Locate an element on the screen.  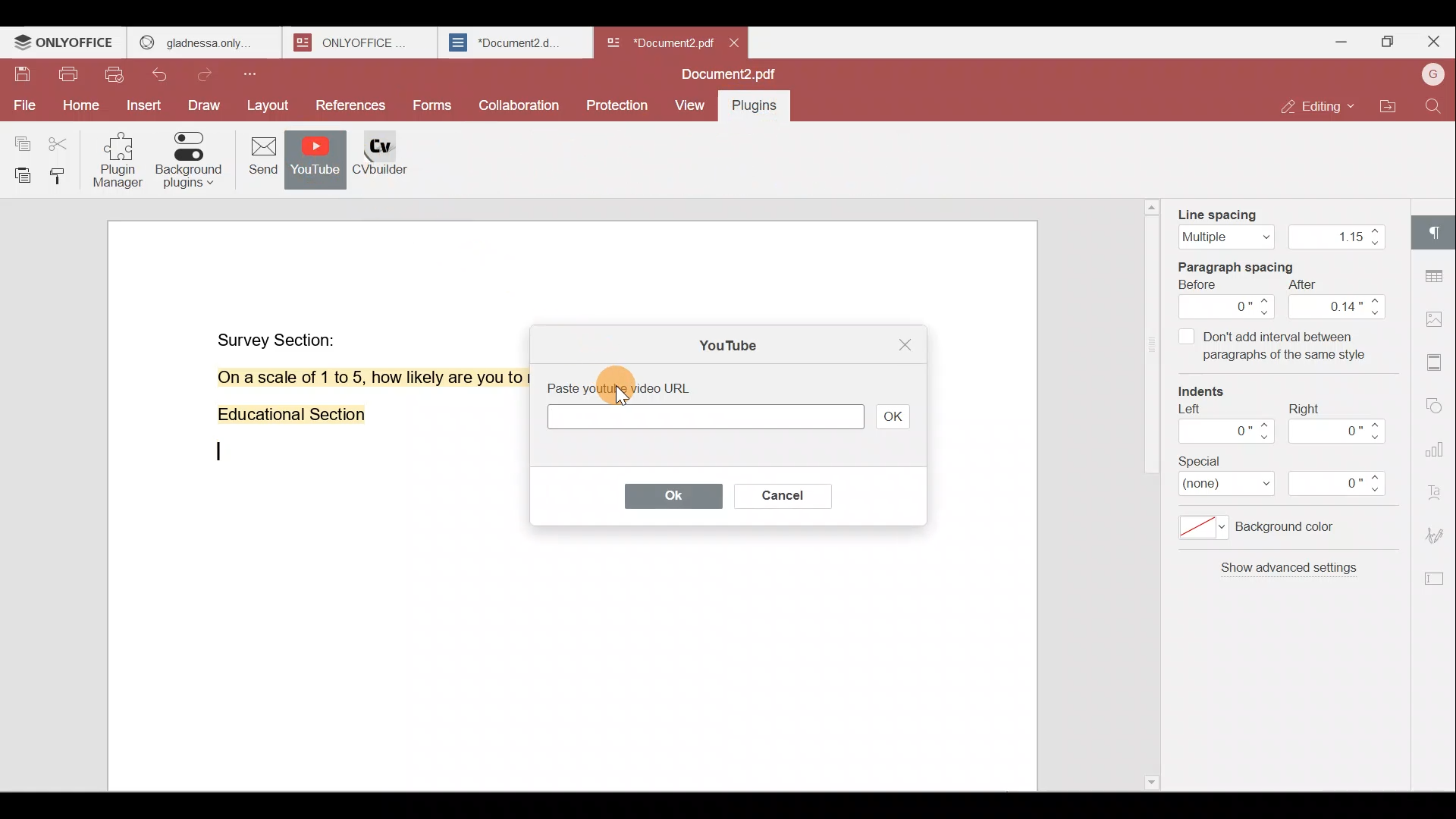
Print file is located at coordinates (67, 77).